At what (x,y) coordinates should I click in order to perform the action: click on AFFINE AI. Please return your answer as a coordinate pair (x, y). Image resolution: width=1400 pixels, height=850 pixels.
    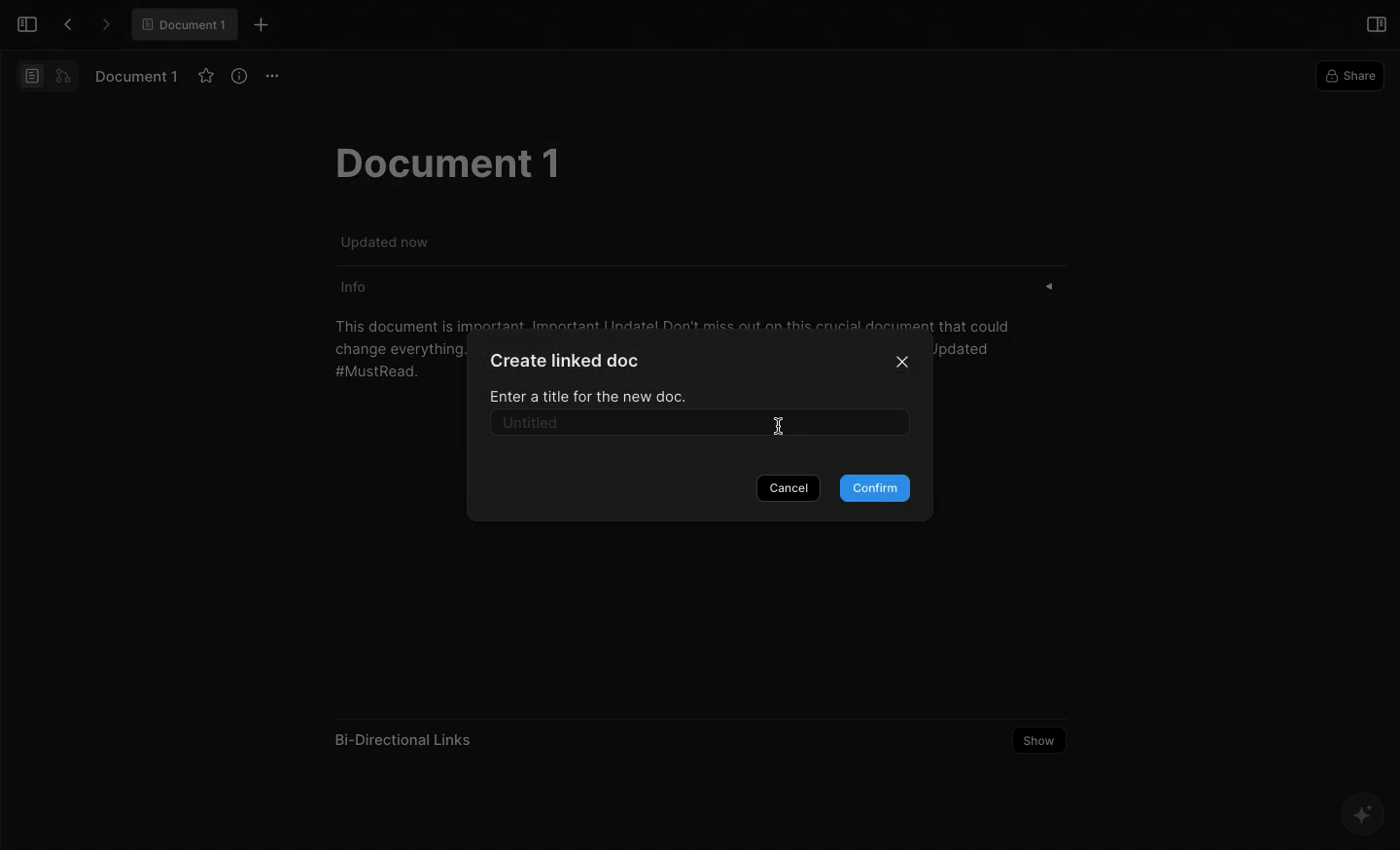
    Looking at the image, I should click on (1360, 815).